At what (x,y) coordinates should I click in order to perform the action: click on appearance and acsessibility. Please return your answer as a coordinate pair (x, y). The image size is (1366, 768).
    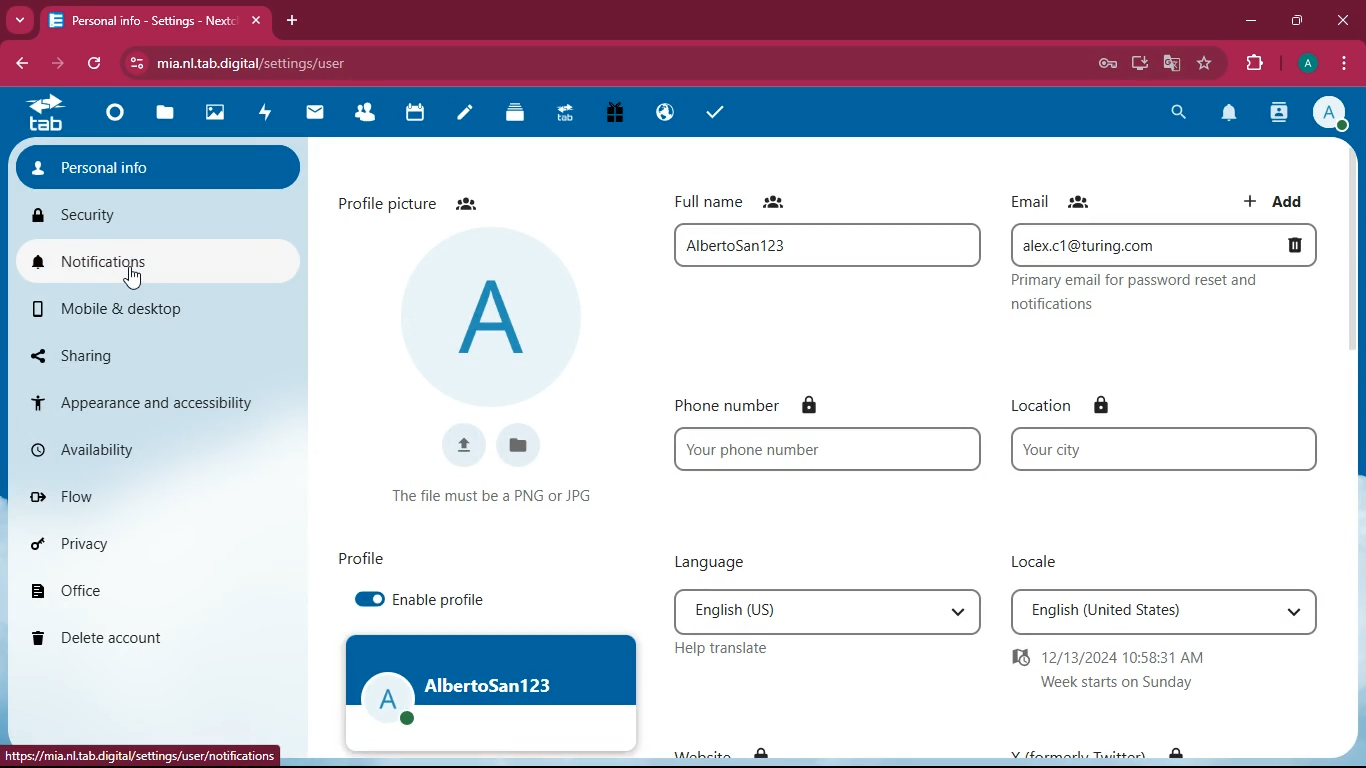
    Looking at the image, I should click on (154, 407).